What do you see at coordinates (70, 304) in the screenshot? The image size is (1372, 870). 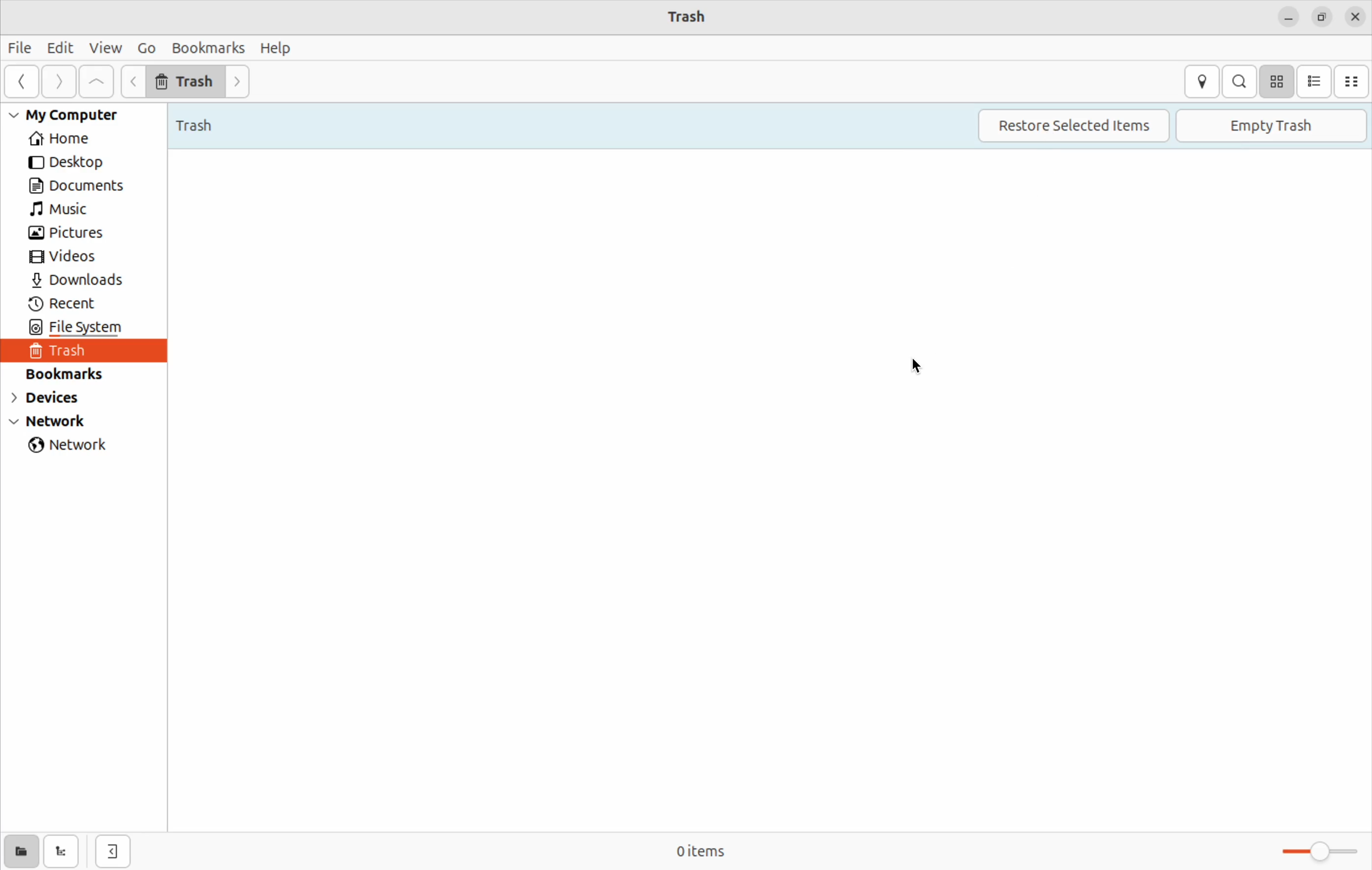 I see `recent` at bounding box center [70, 304].